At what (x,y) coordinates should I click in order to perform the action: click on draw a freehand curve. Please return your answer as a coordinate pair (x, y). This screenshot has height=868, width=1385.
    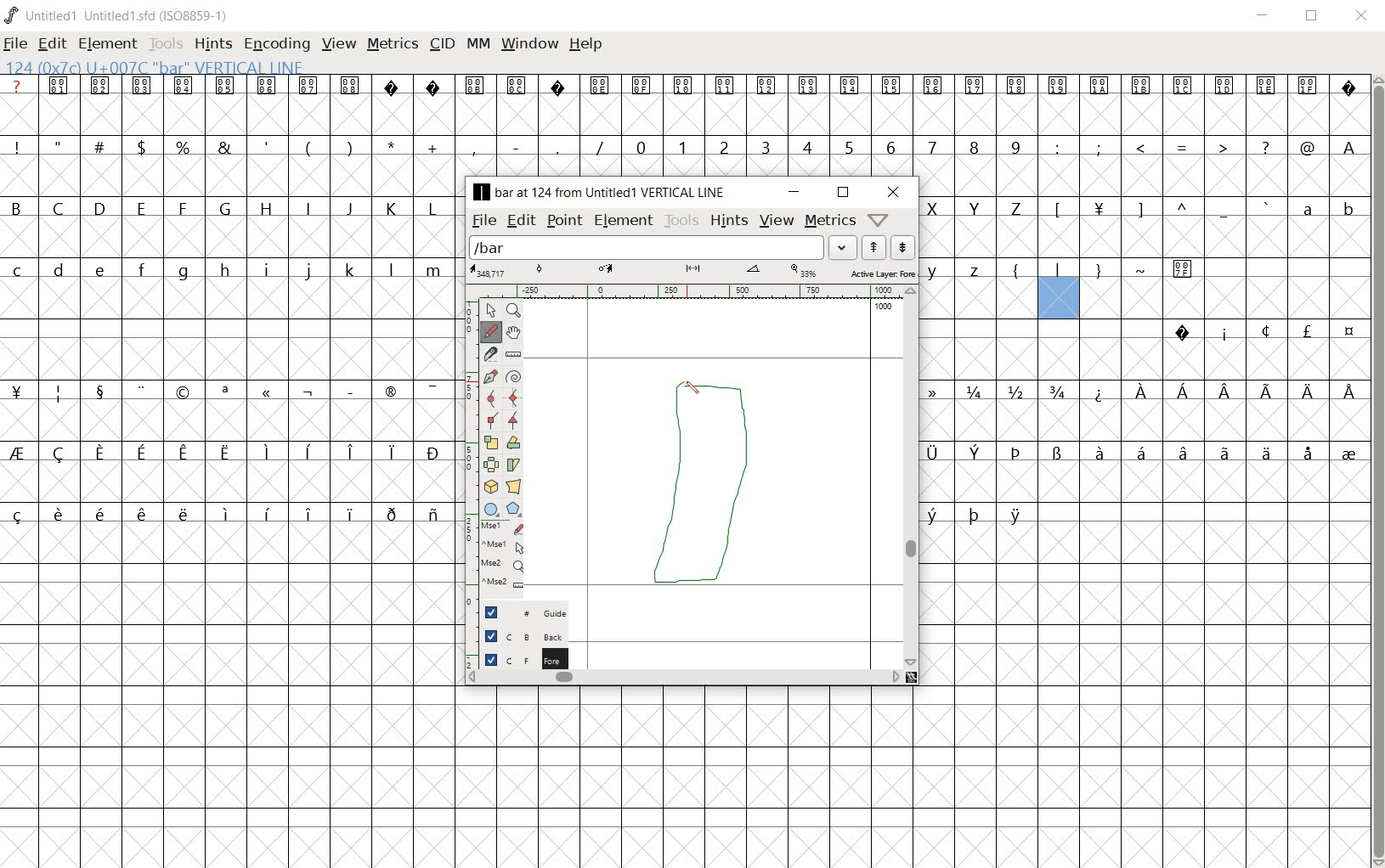
    Looking at the image, I should click on (491, 331).